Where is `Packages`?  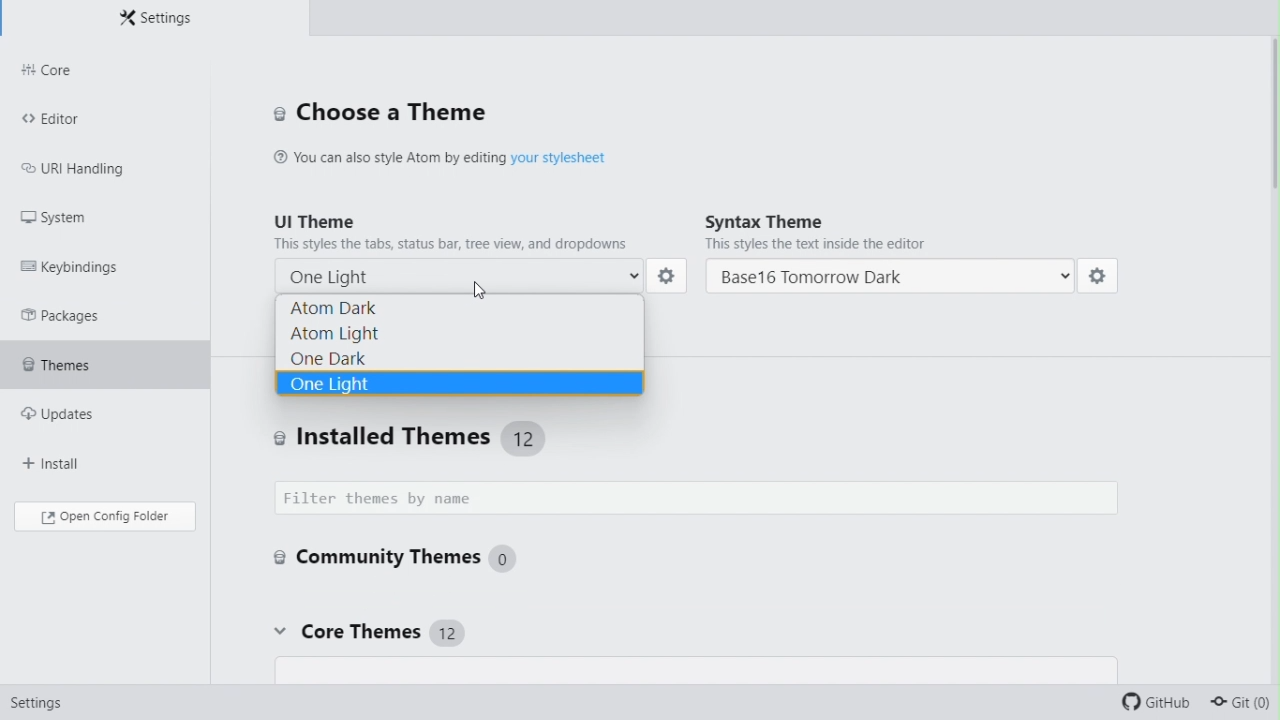
Packages is located at coordinates (80, 314).